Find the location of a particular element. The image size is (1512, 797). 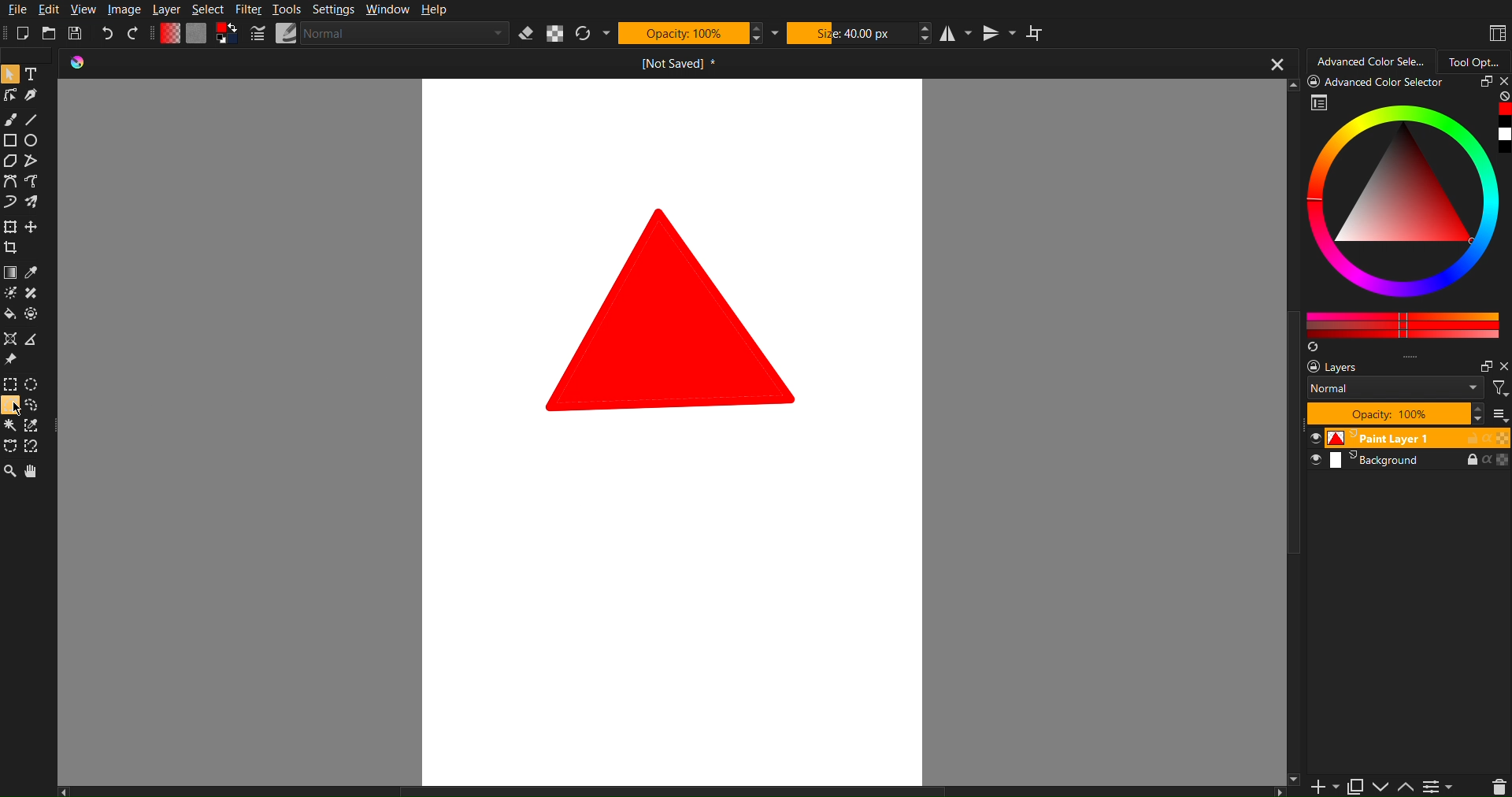

Menu is located at coordinates (1438, 786).